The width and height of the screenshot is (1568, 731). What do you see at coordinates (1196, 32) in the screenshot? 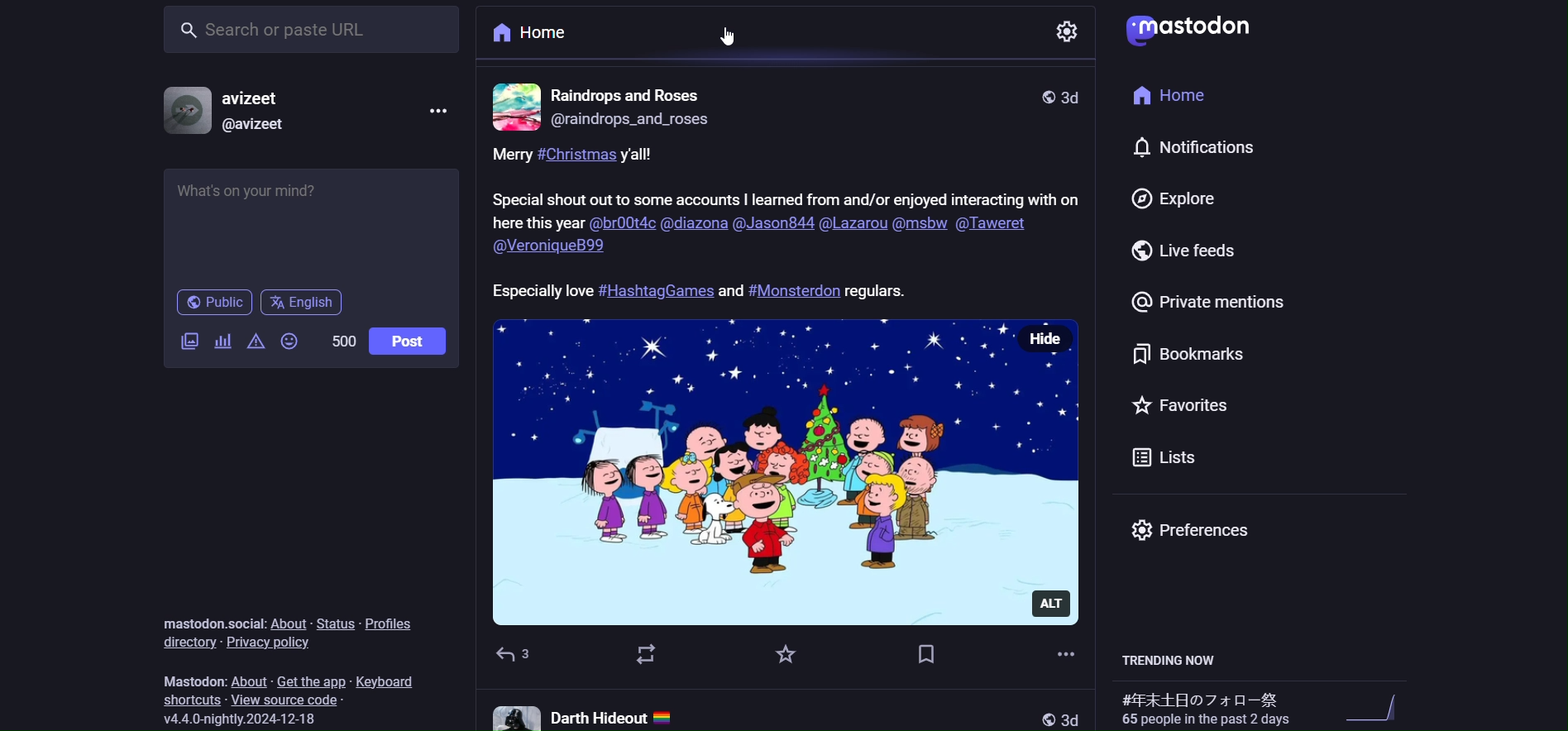
I see `logo` at bounding box center [1196, 32].